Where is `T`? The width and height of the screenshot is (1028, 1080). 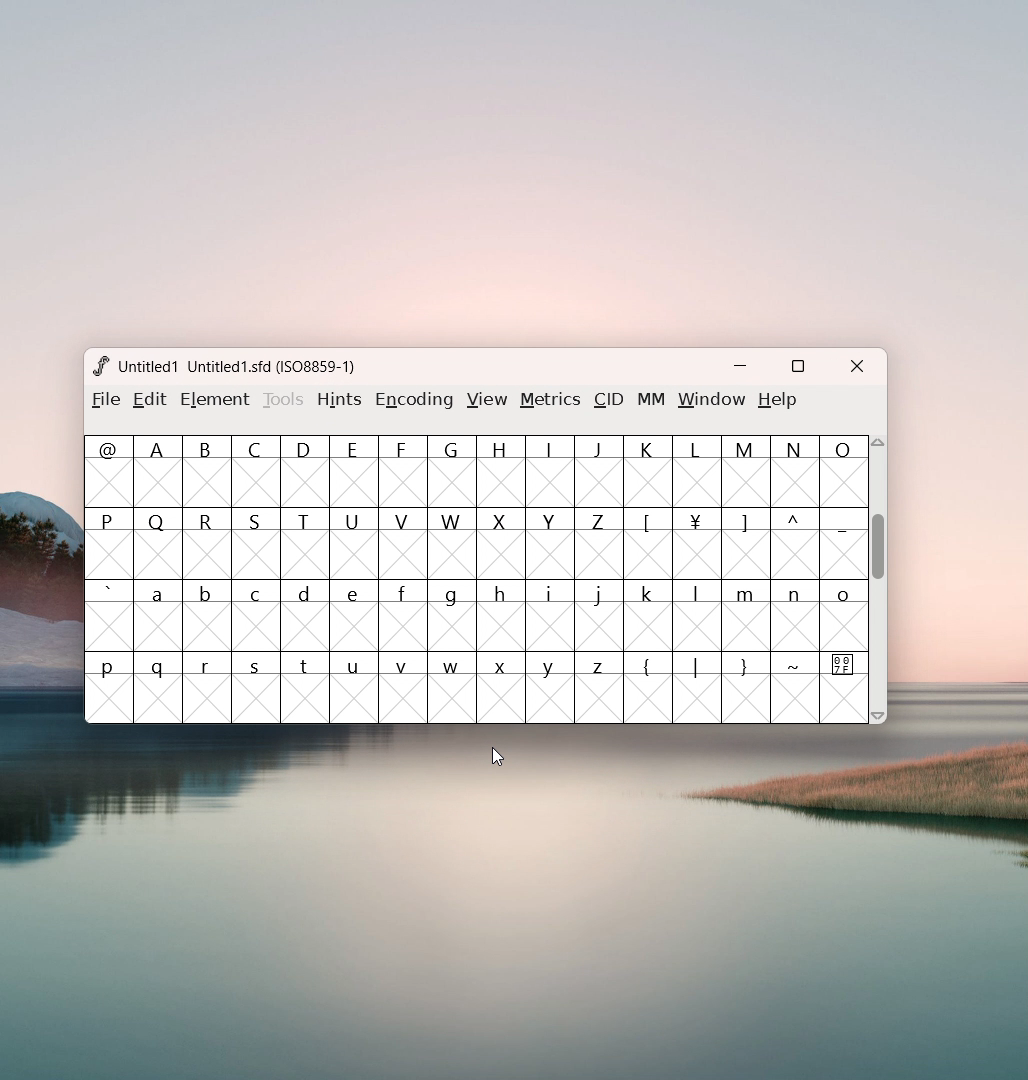
T is located at coordinates (307, 544).